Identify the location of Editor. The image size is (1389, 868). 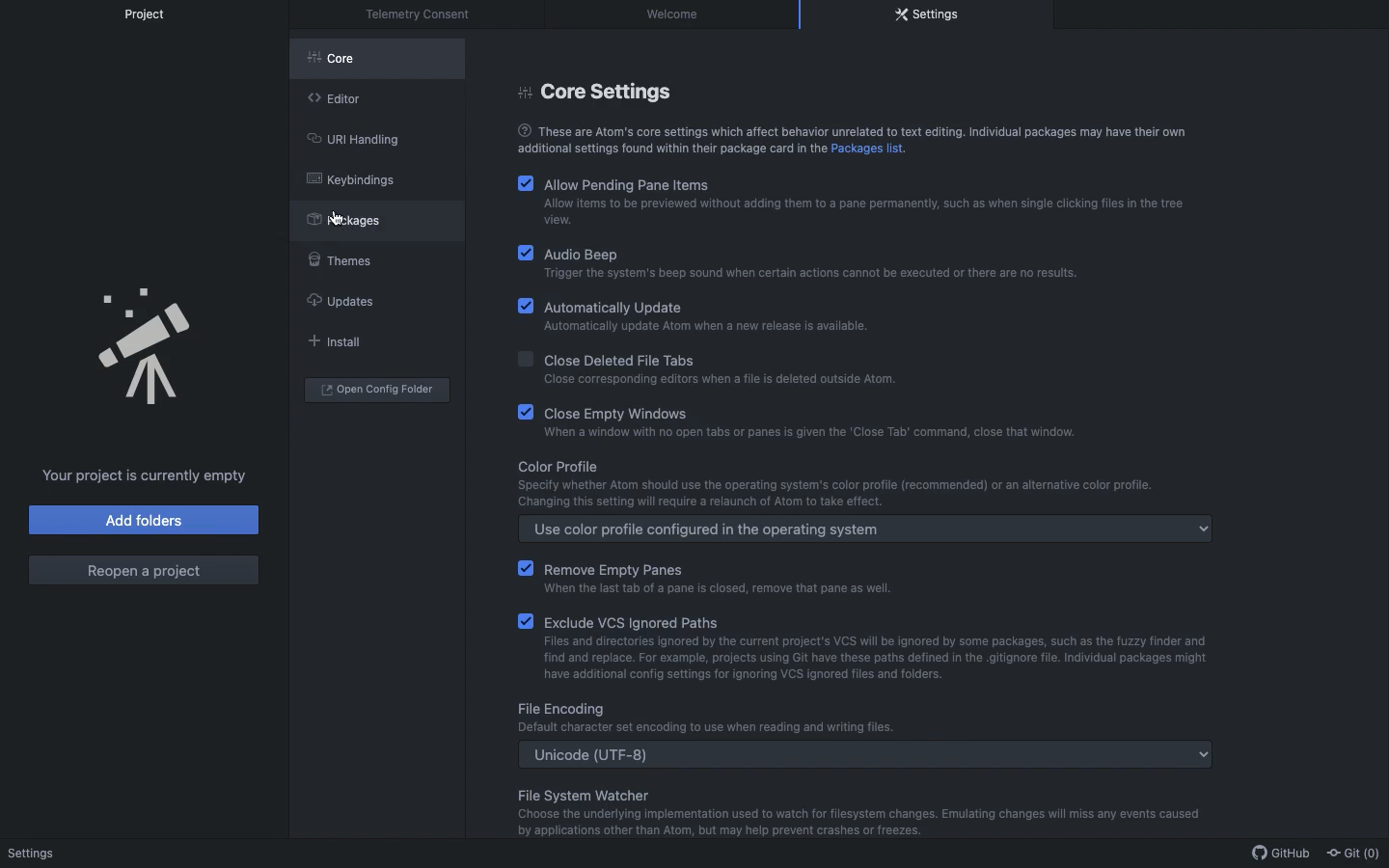
(334, 96).